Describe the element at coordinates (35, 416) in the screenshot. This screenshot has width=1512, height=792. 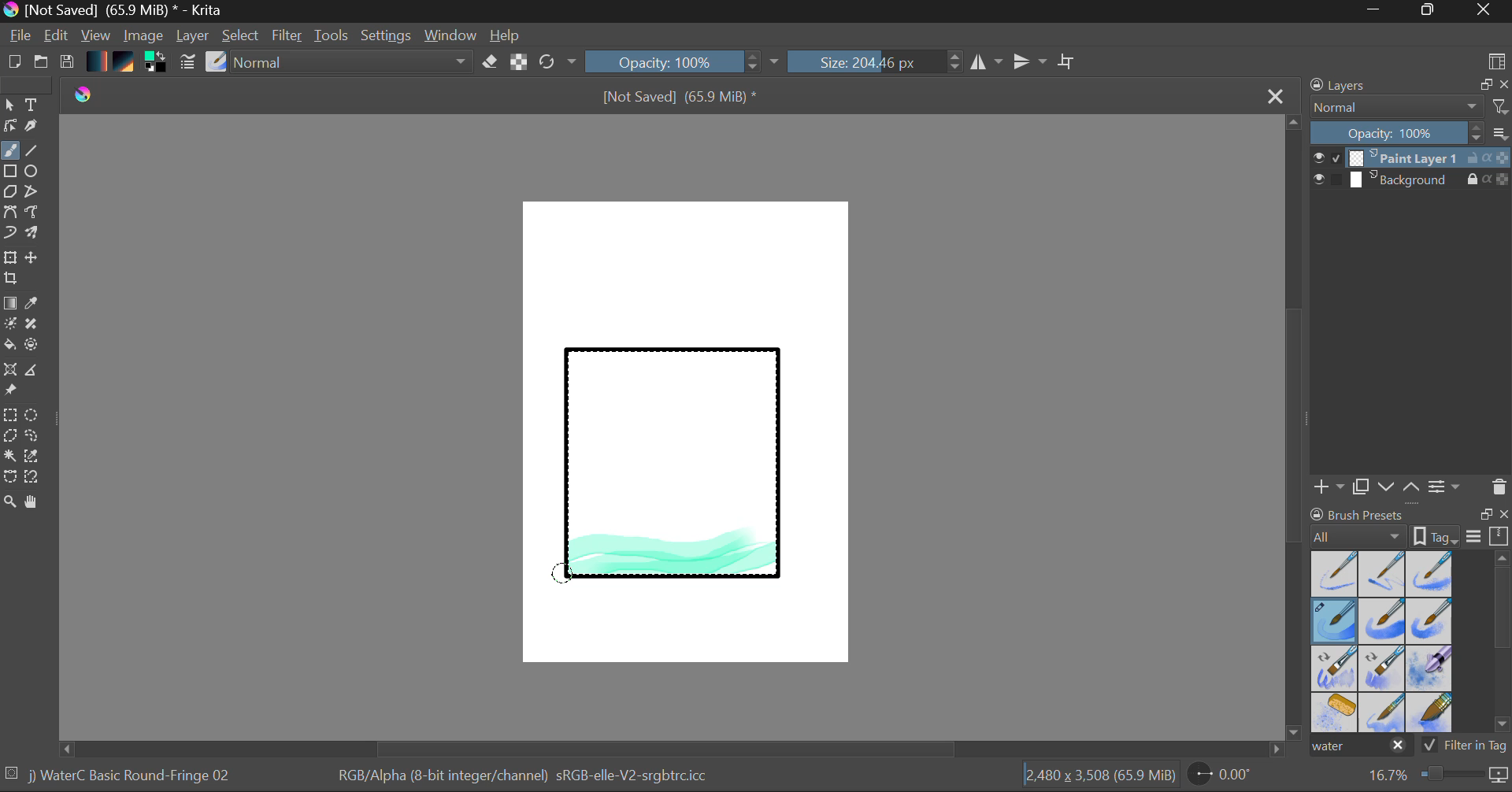
I see `Elipses Selection tool` at that location.